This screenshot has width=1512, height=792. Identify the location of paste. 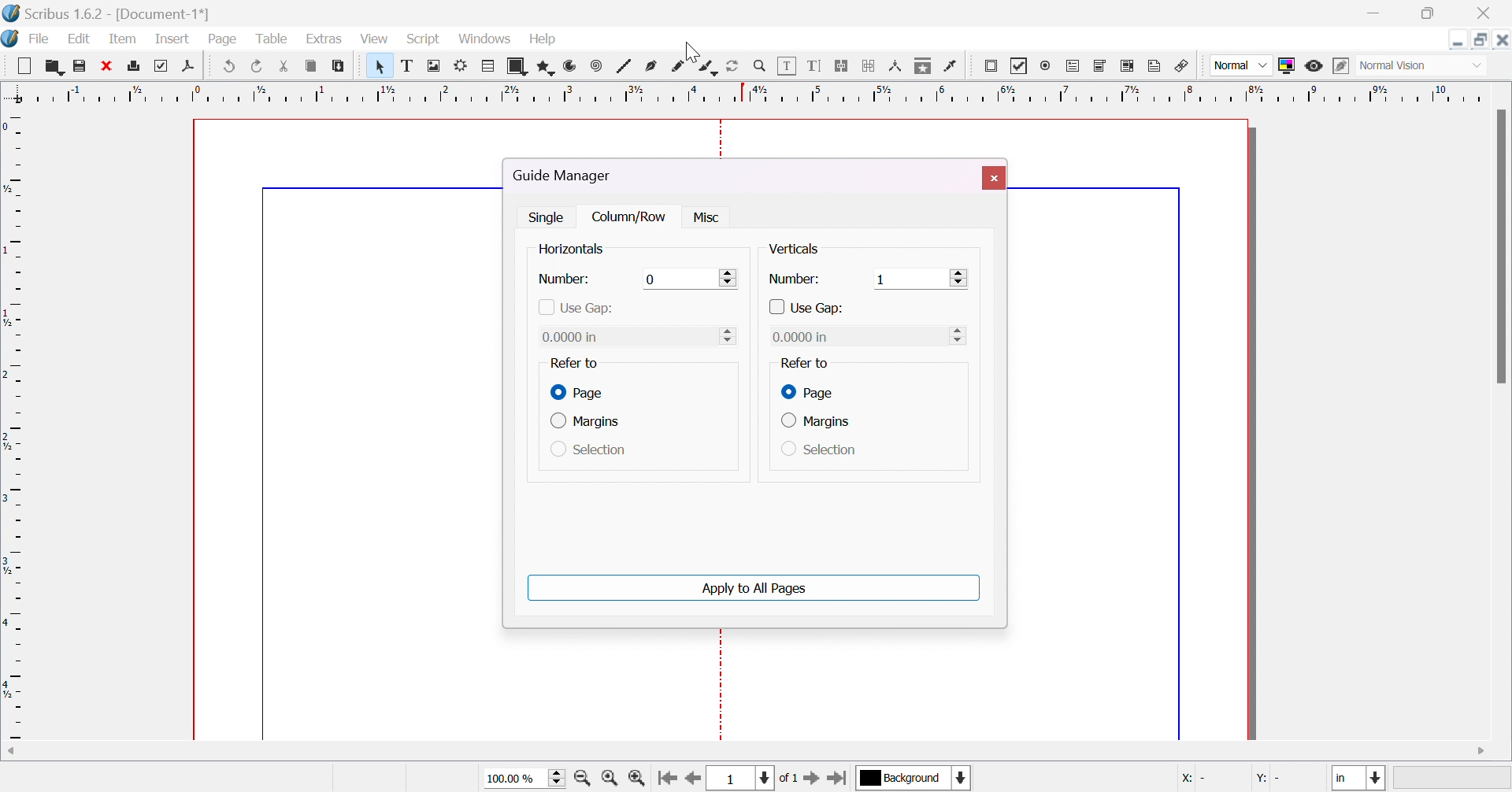
(338, 65).